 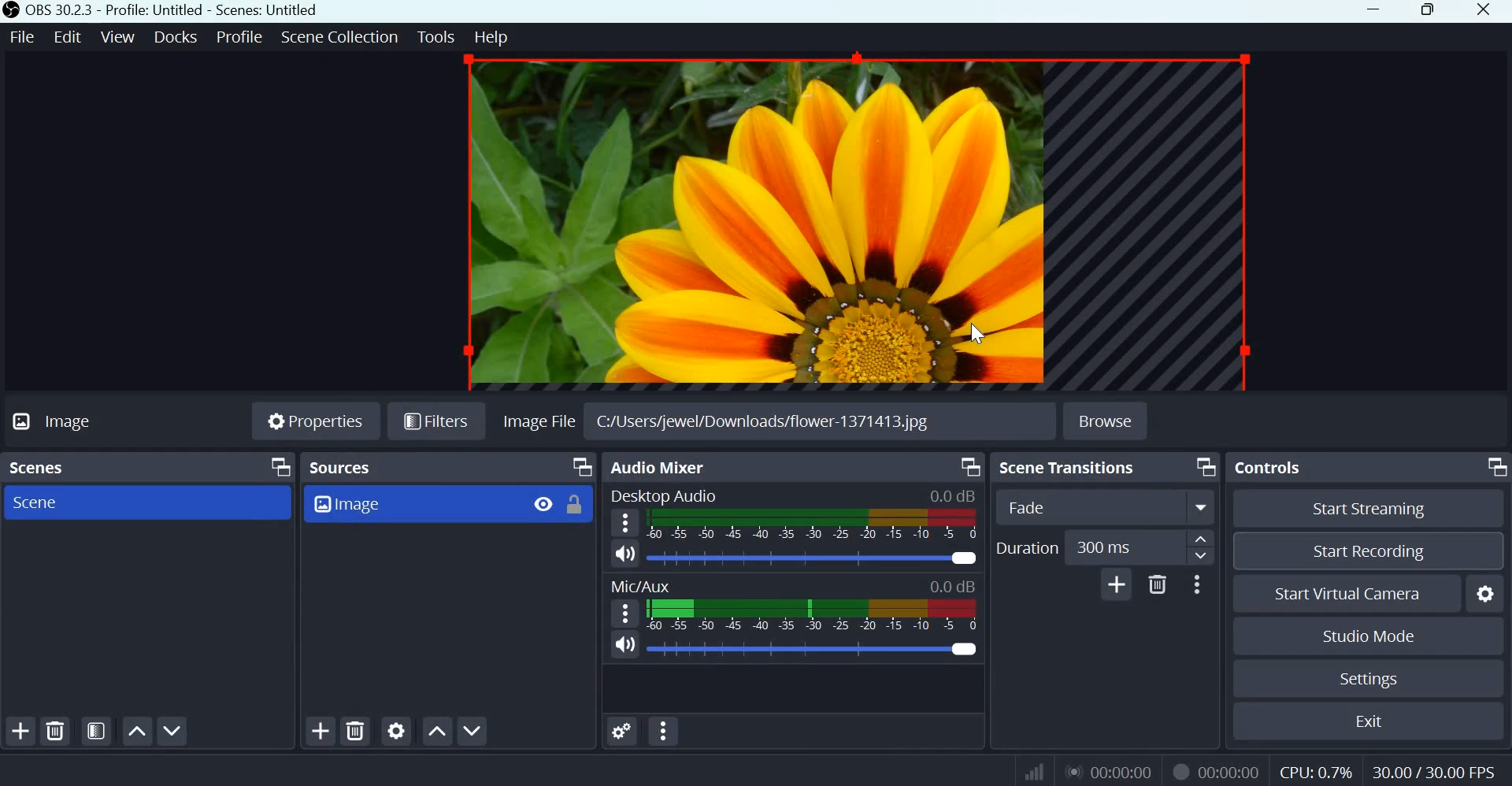 I want to click on Desktop Audio, so click(x=665, y=495).